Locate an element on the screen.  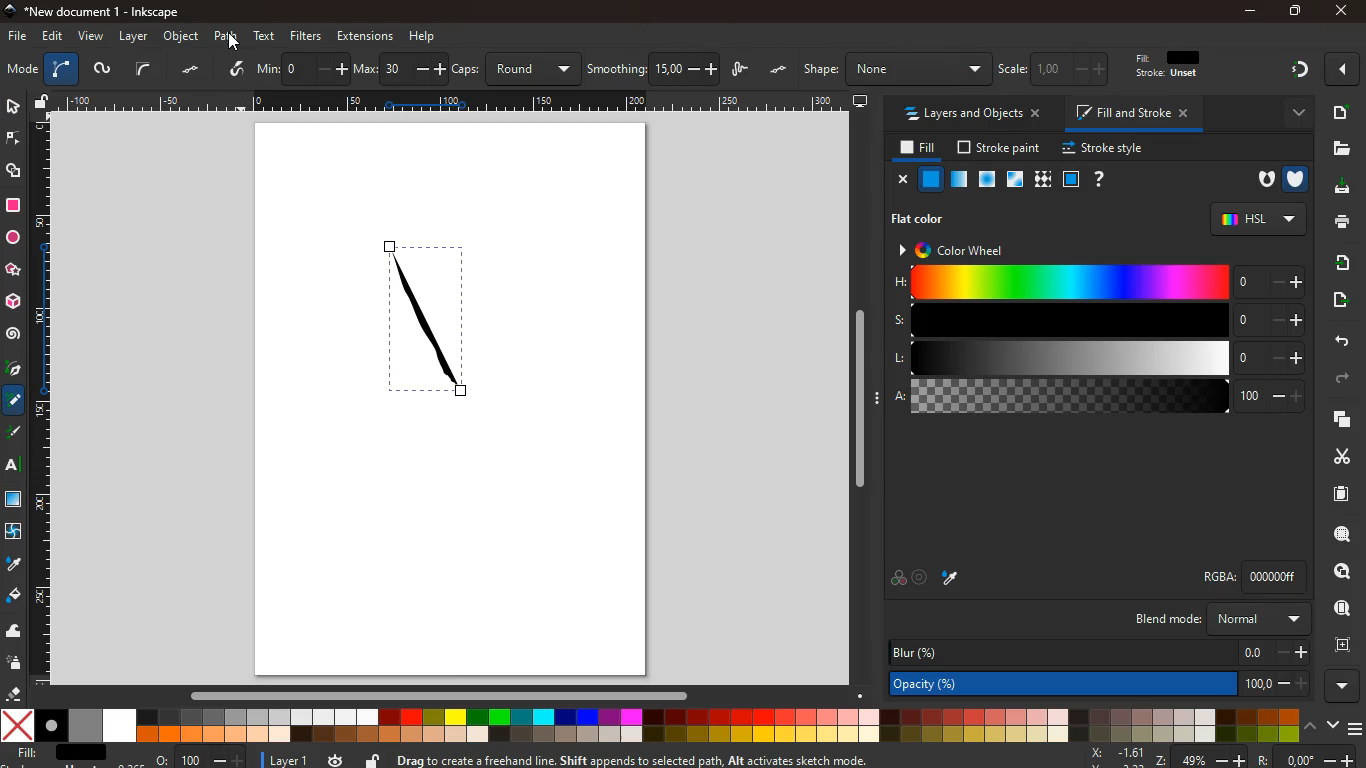
close is located at coordinates (904, 181).